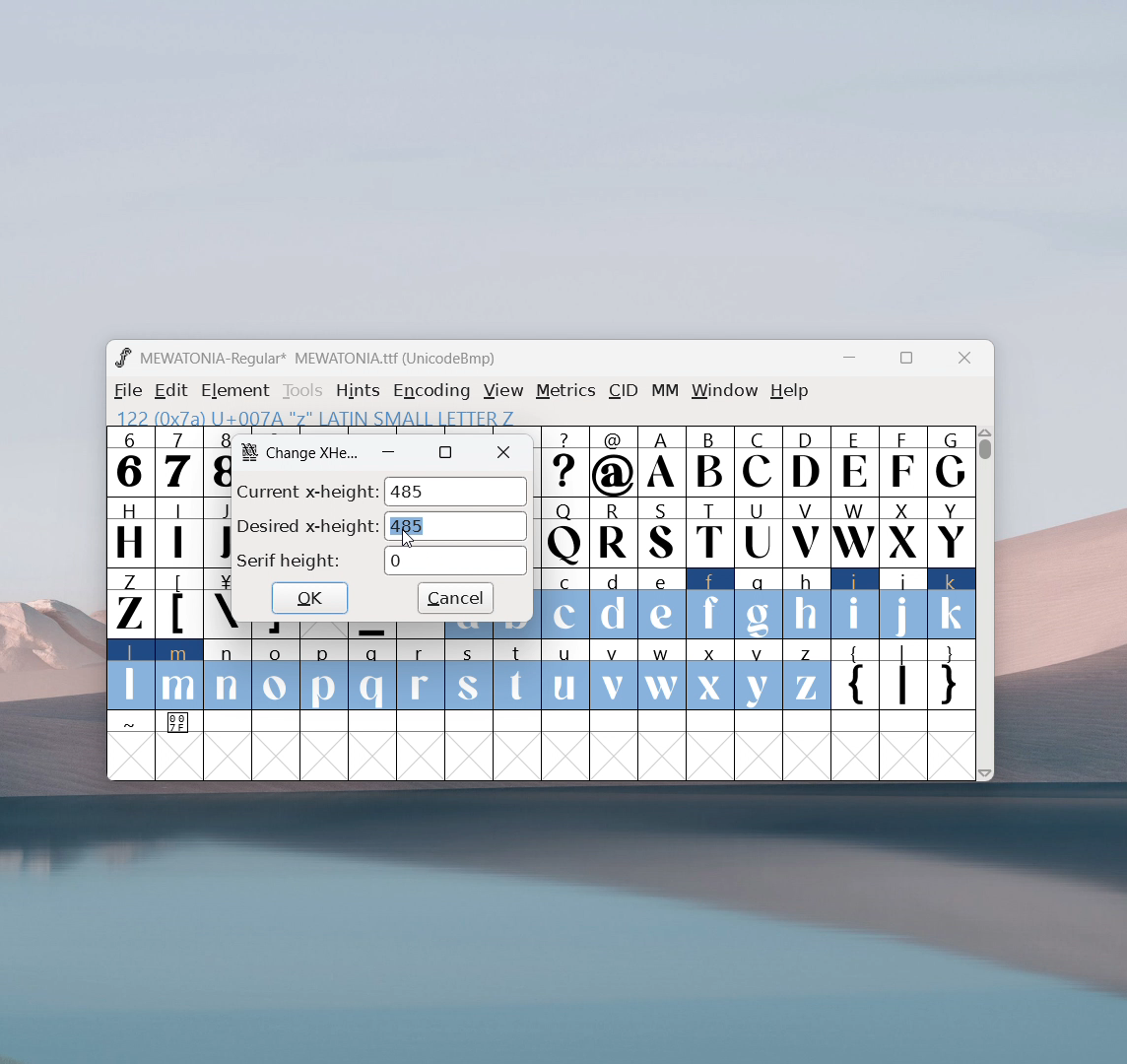 This screenshot has height=1064, width=1127. What do you see at coordinates (757, 461) in the screenshot?
I see `C` at bounding box center [757, 461].